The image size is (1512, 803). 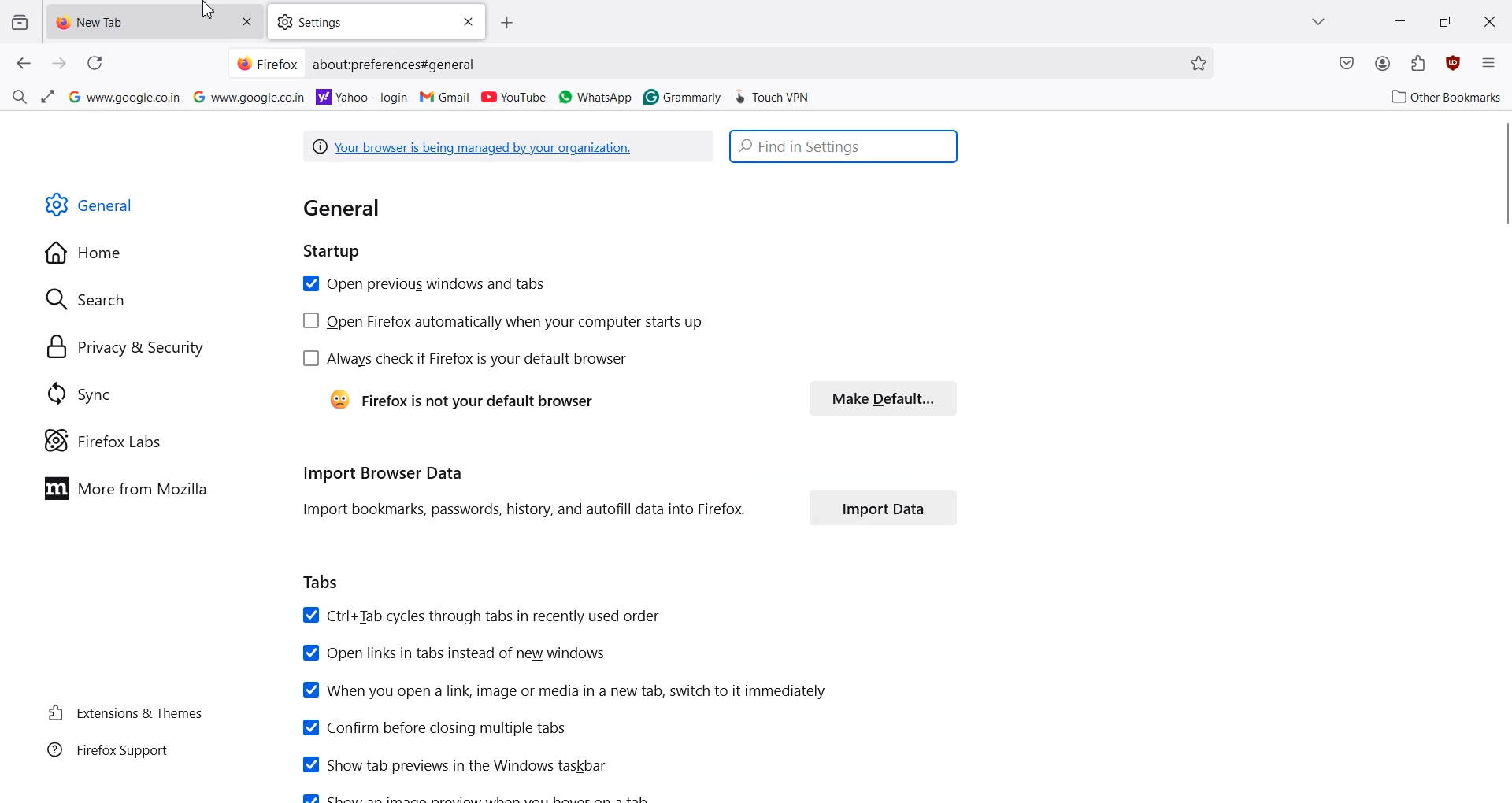 What do you see at coordinates (357, 23) in the screenshot?
I see `Settings` at bounding box center [357, 23].